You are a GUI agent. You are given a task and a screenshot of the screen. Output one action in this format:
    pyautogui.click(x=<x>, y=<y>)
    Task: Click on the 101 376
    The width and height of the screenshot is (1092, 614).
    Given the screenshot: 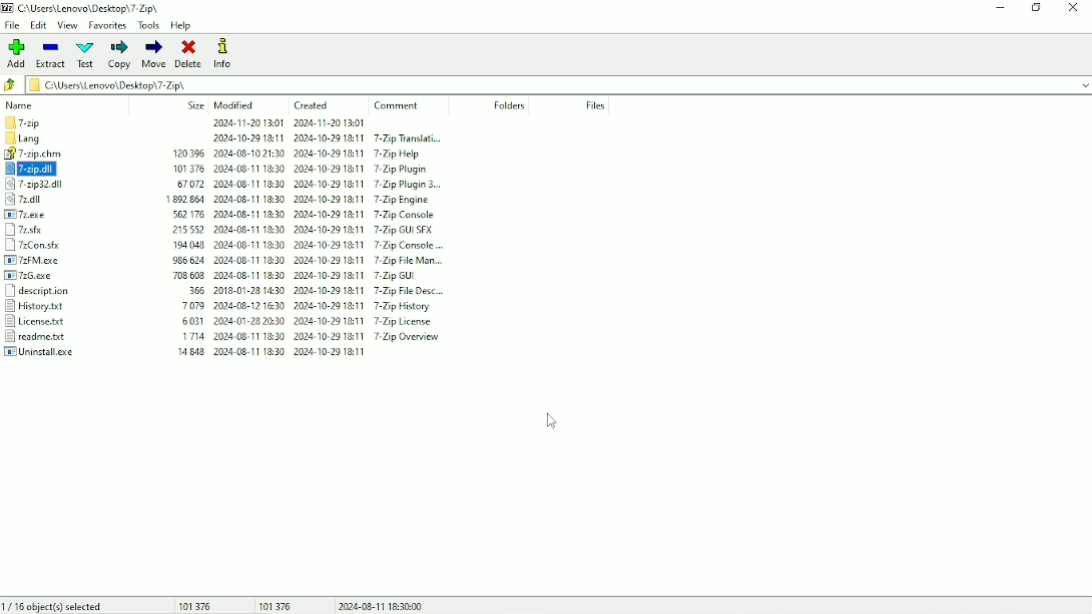 What is the action you would take?
    pyautogui.click(x=275, y=605)
    